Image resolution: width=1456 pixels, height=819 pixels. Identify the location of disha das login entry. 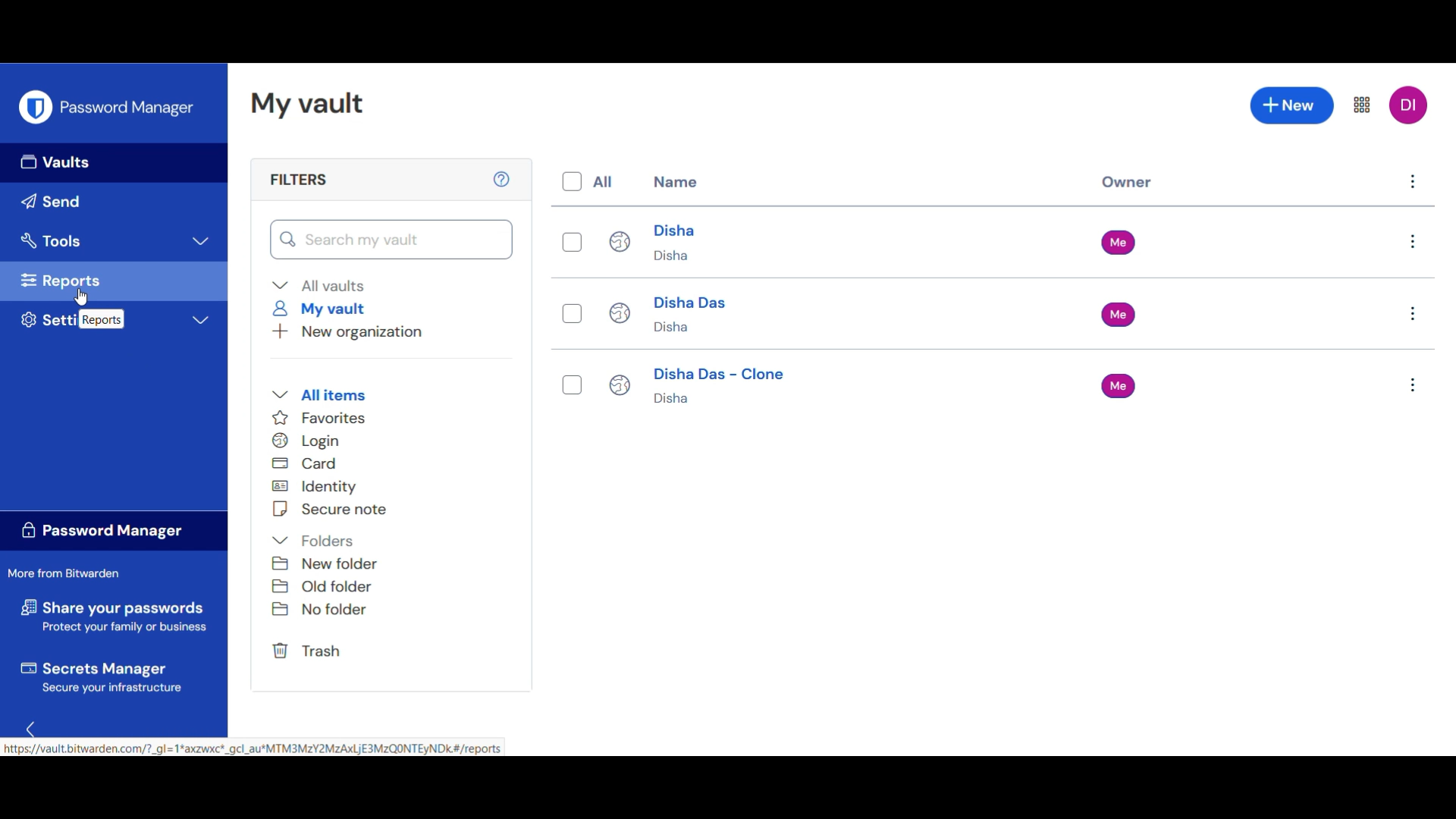
(740, 315).